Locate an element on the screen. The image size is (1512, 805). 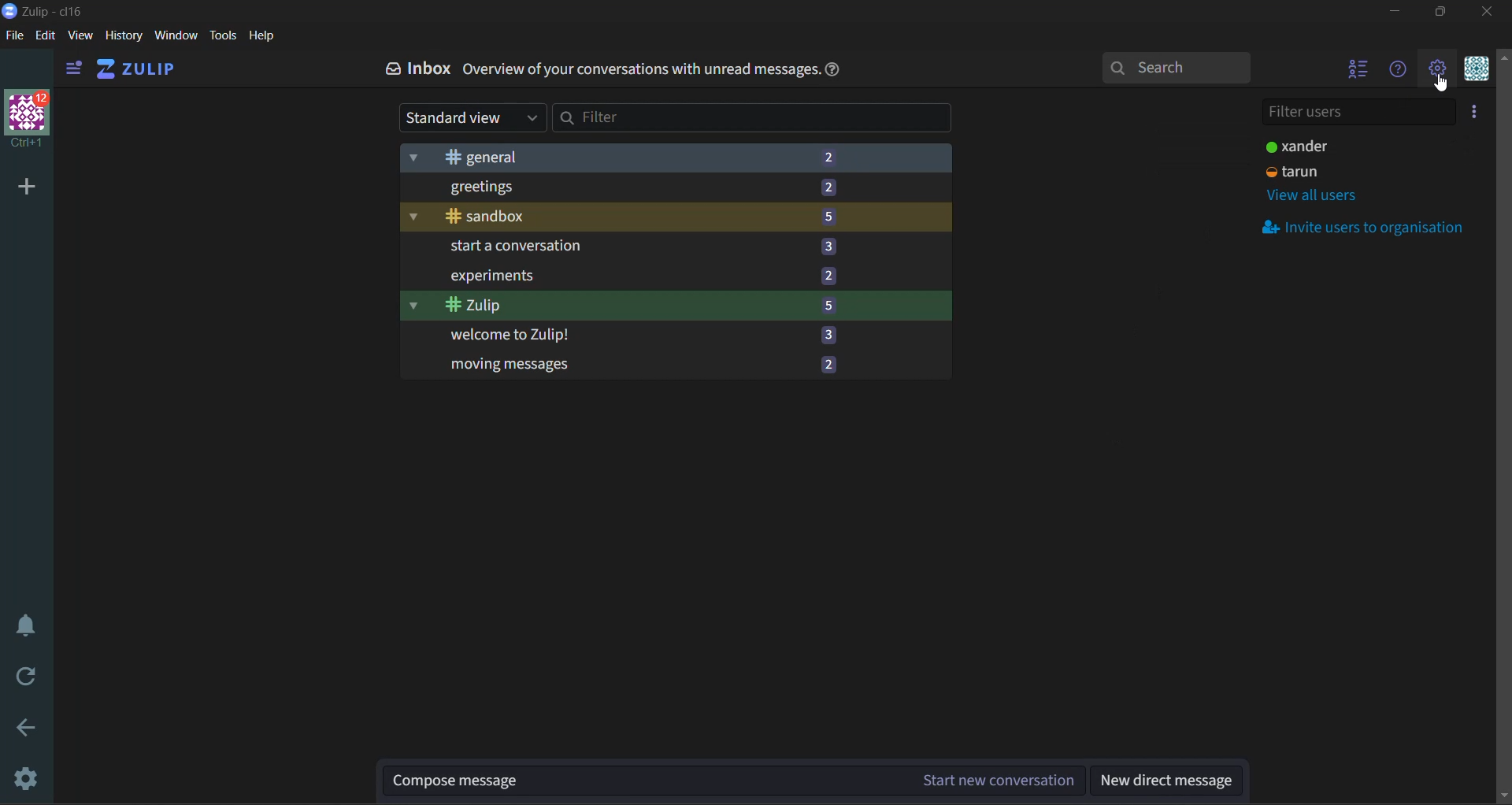
enable do not disturb is located at coordinates (25, 624).